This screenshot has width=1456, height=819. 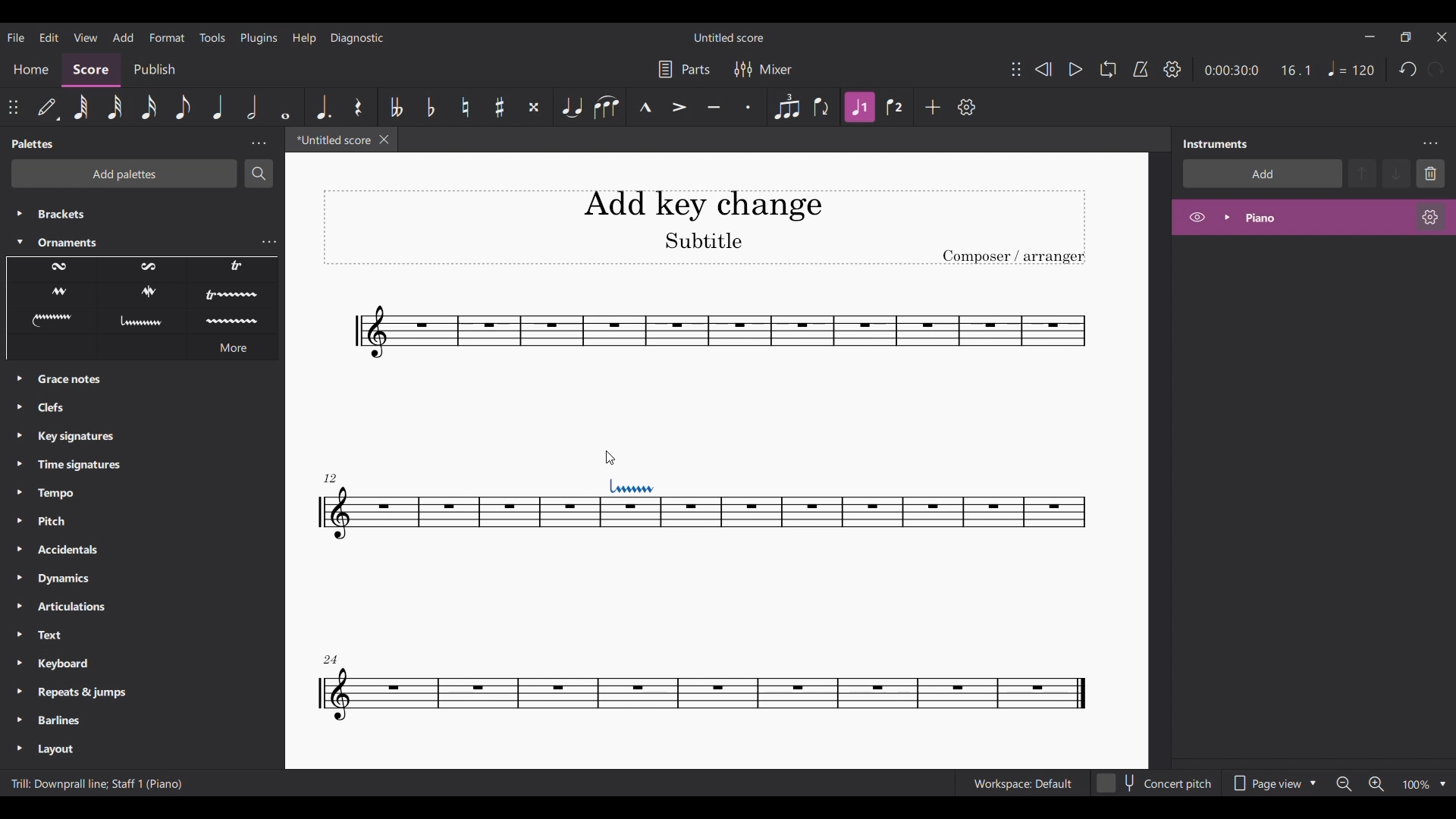 I want to click on 32nd note, so click(x=115, y=107).